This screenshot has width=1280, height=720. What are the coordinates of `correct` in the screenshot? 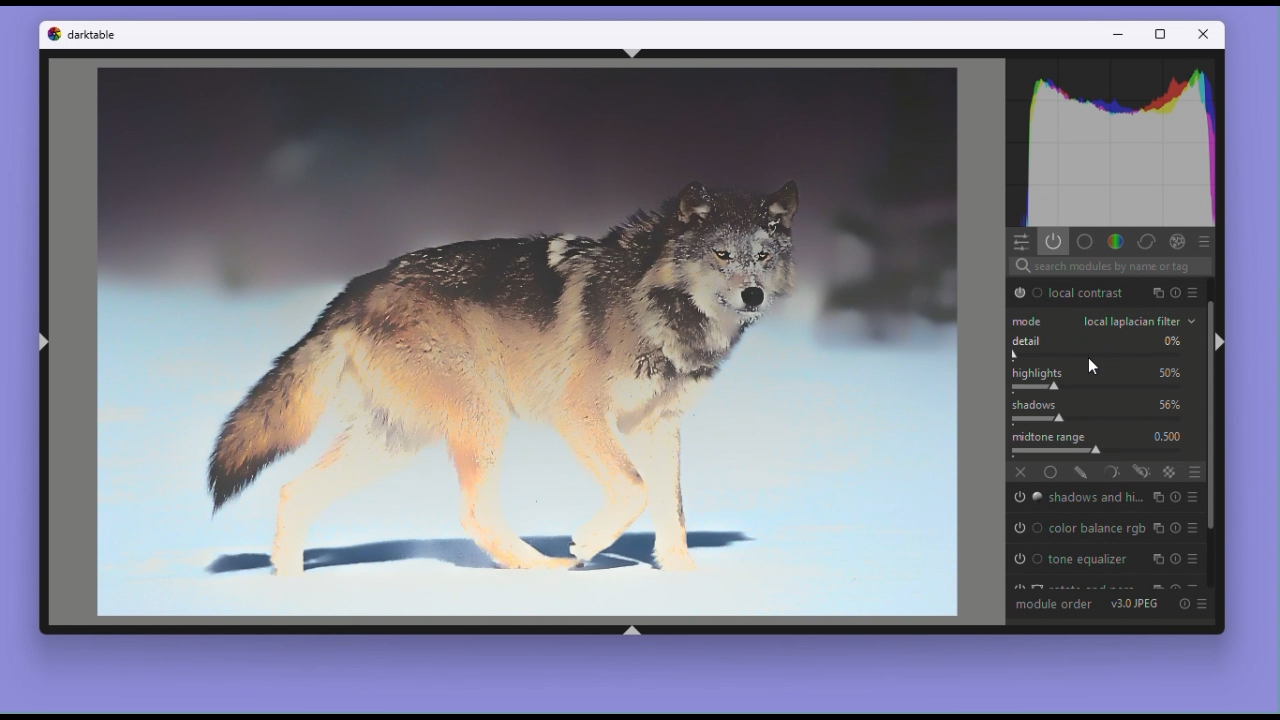 It's located at (1148, 242).